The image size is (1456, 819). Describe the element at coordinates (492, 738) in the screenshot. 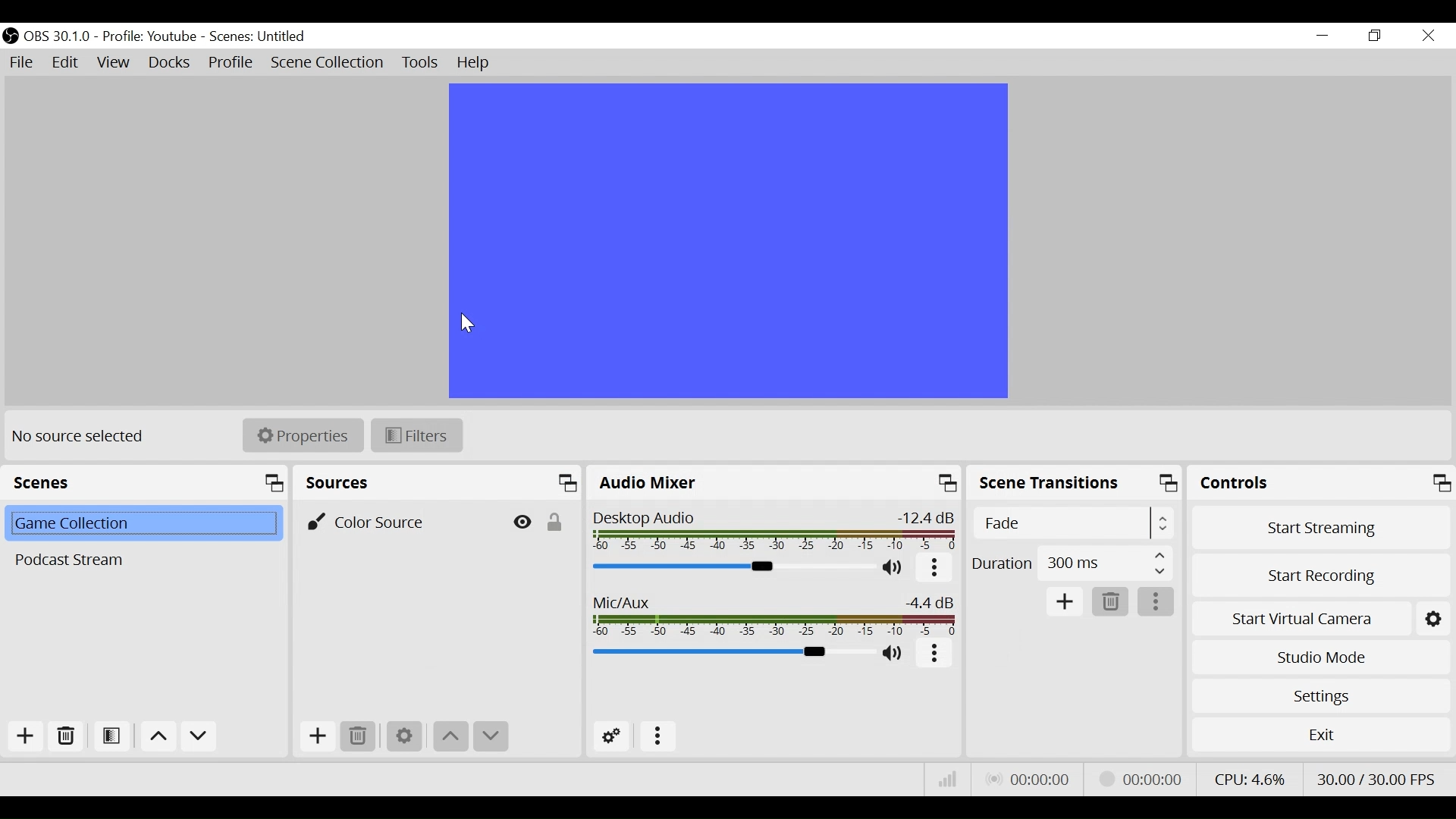

I see `move down` at that location.